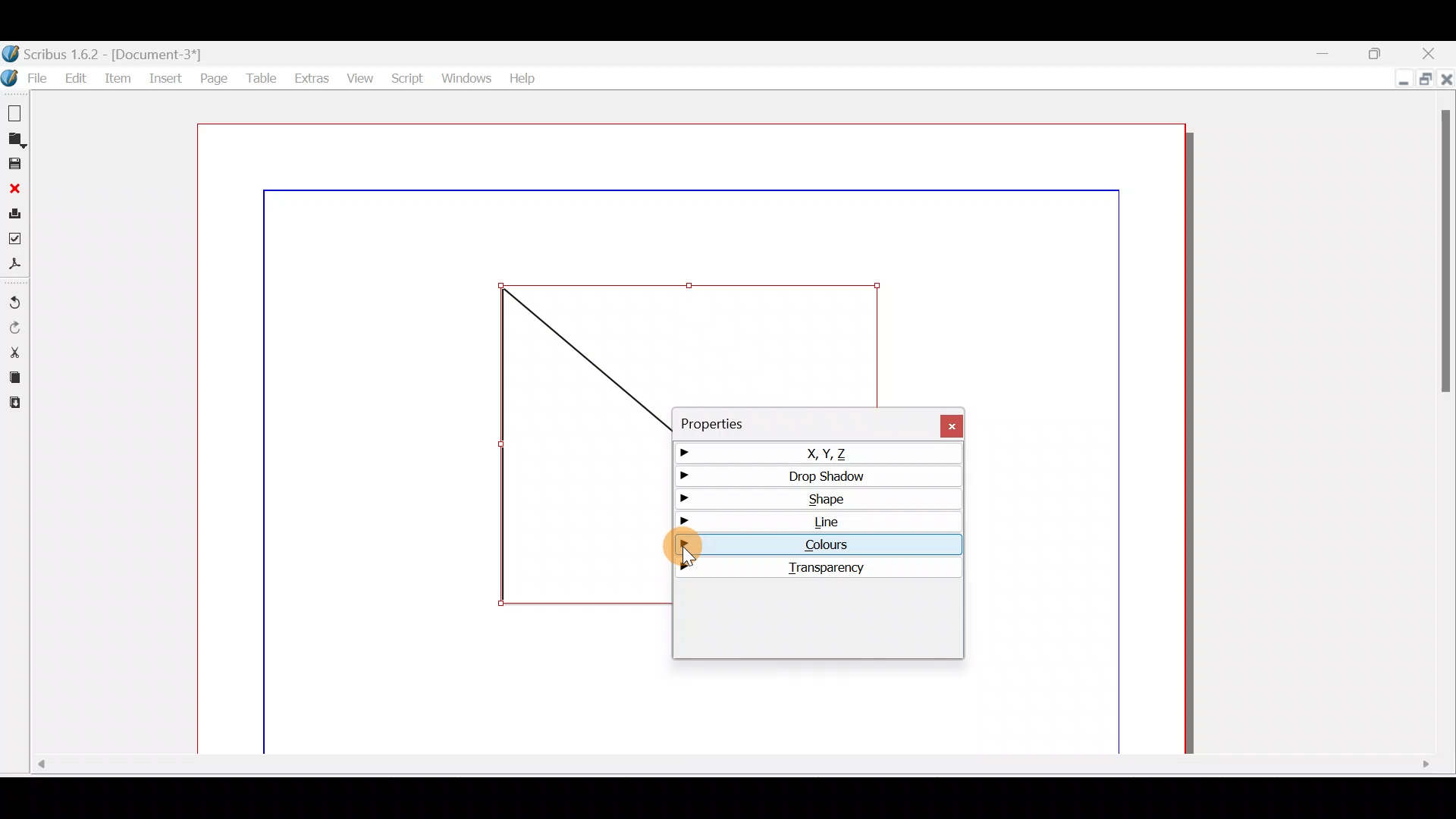 The image size is (1456, 819). I want to click on Table, so click(259, 77).